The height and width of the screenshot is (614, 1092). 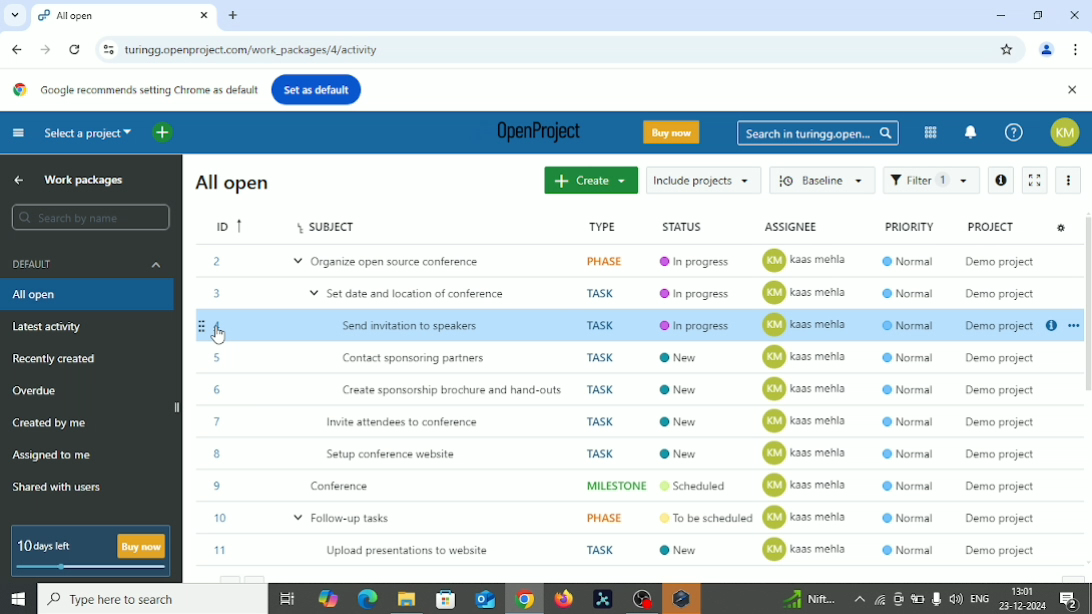 I want to click on Created by me, so click(x=52, y=425).